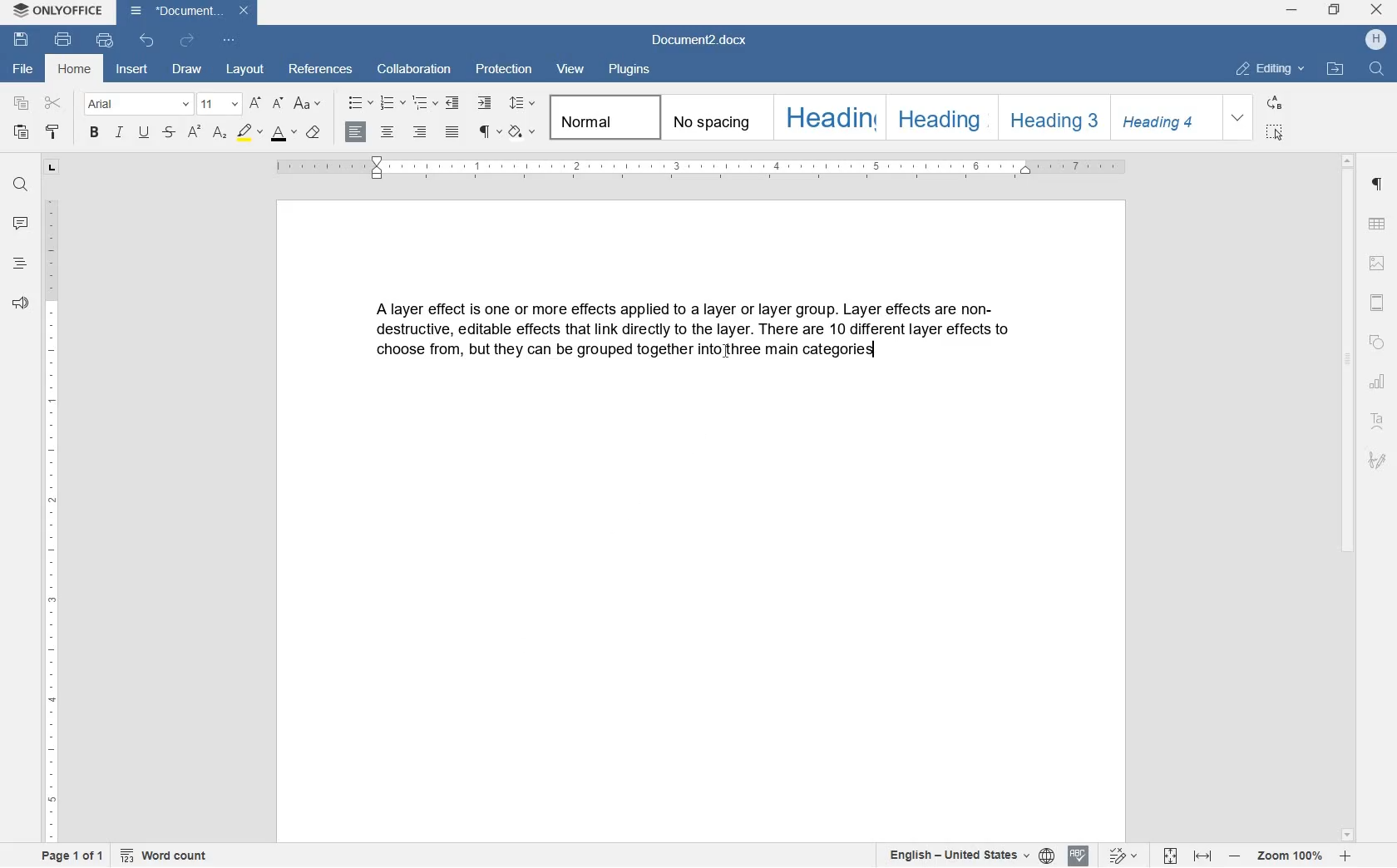 The width and height of the screenshot is (1397, 868). I want to click on font color , so click(285, 134).